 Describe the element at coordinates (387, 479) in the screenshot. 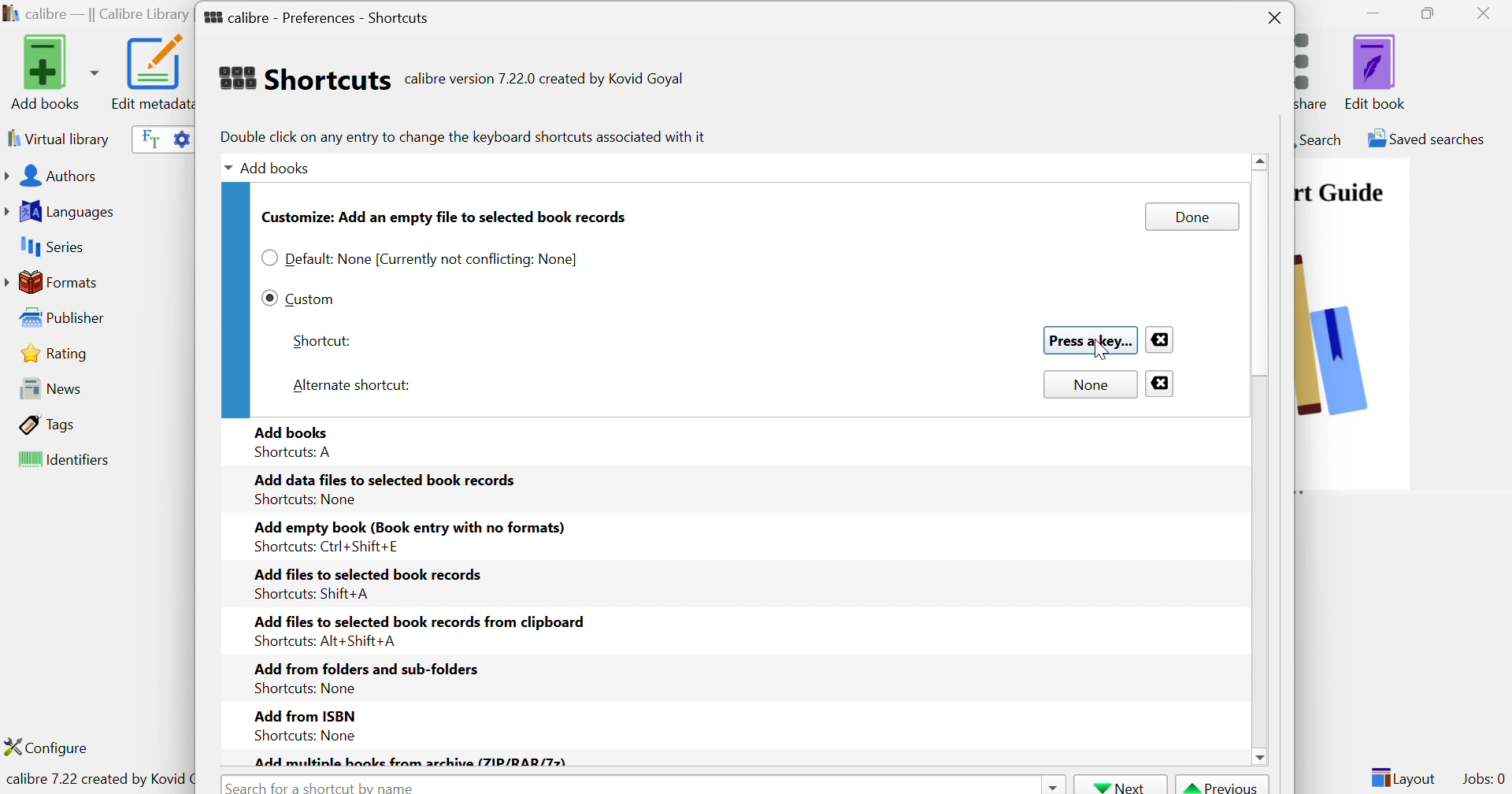

I see `Add data files to selected book records` at that location.